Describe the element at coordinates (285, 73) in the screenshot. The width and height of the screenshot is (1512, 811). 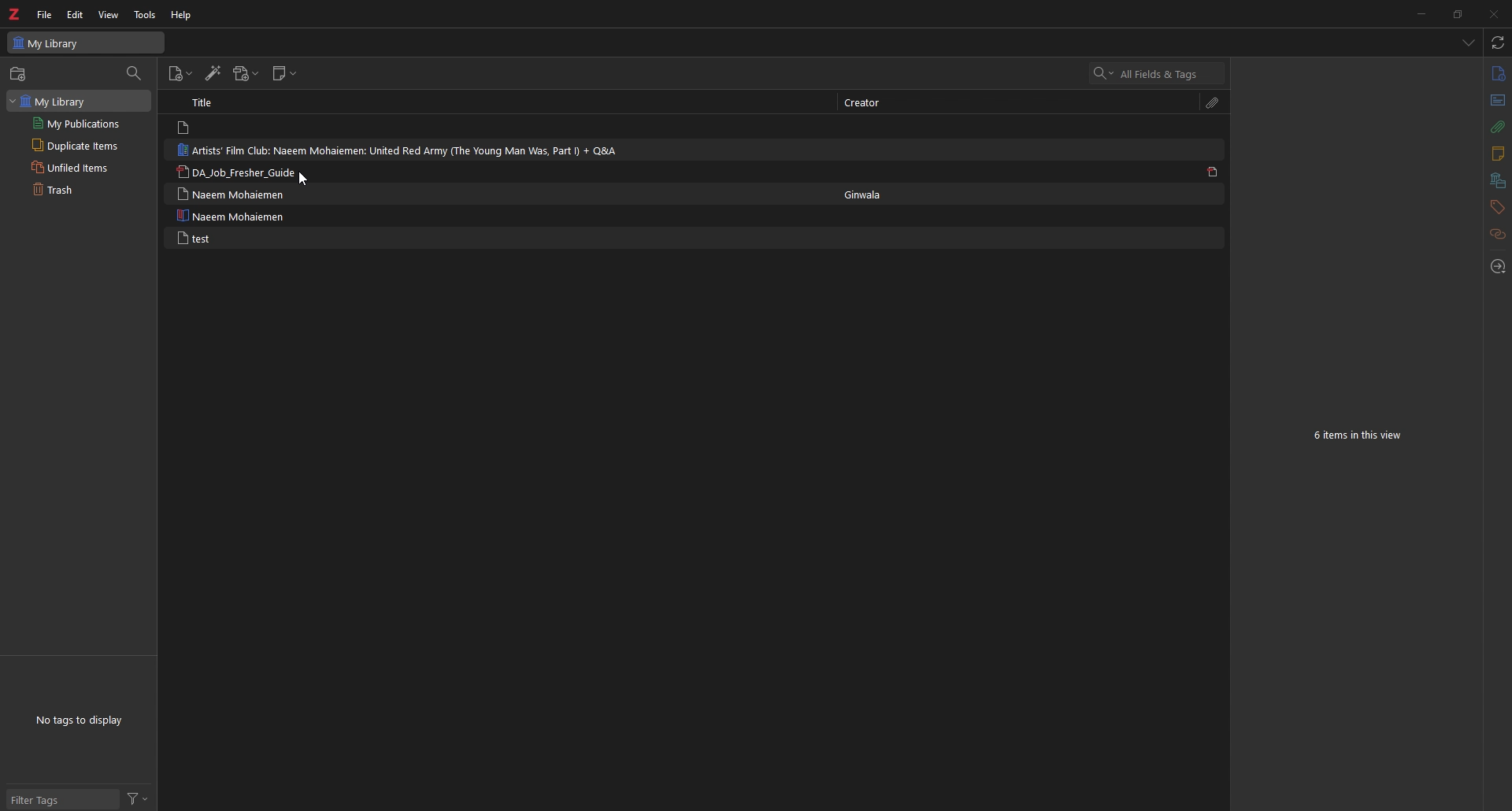
I see `new note` at that location.